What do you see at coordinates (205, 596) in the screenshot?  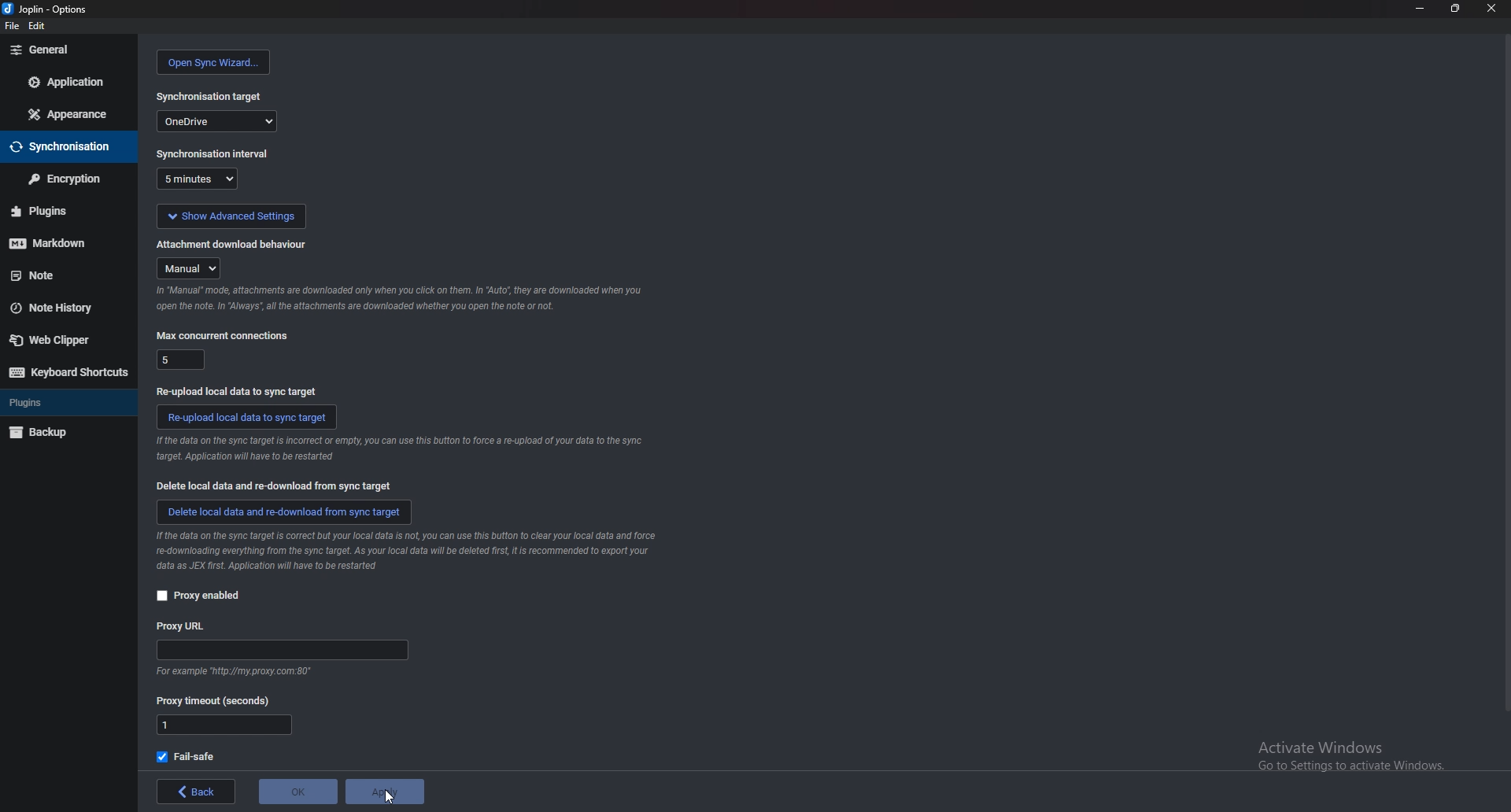 I see `proxy enabled` at bounding box center [205, 596].